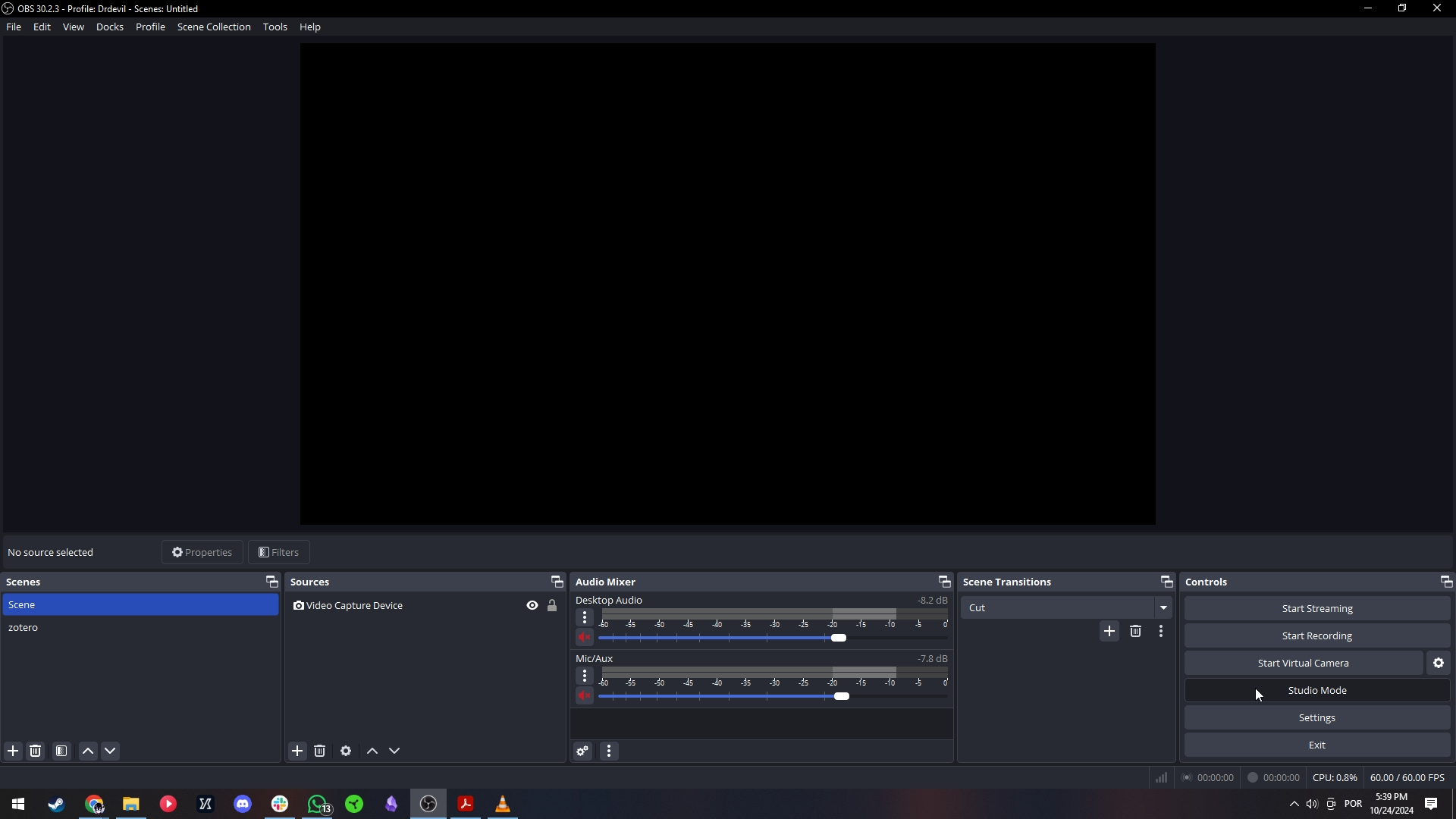  I want to click on Controls, so click(1310, 582).